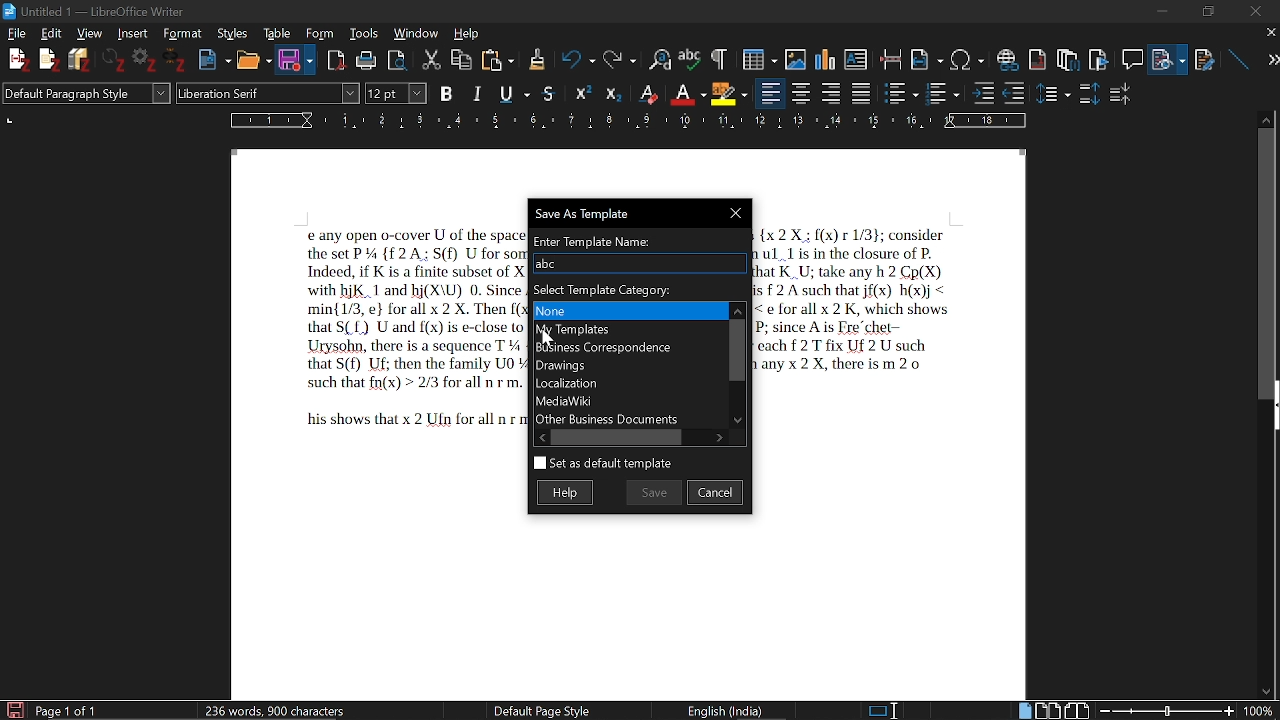 The image size is (1280, 720). What do you see at coordinates (1019, 93) in the screenshot?
I see `outline format options` at bounding box center [1019, 93].